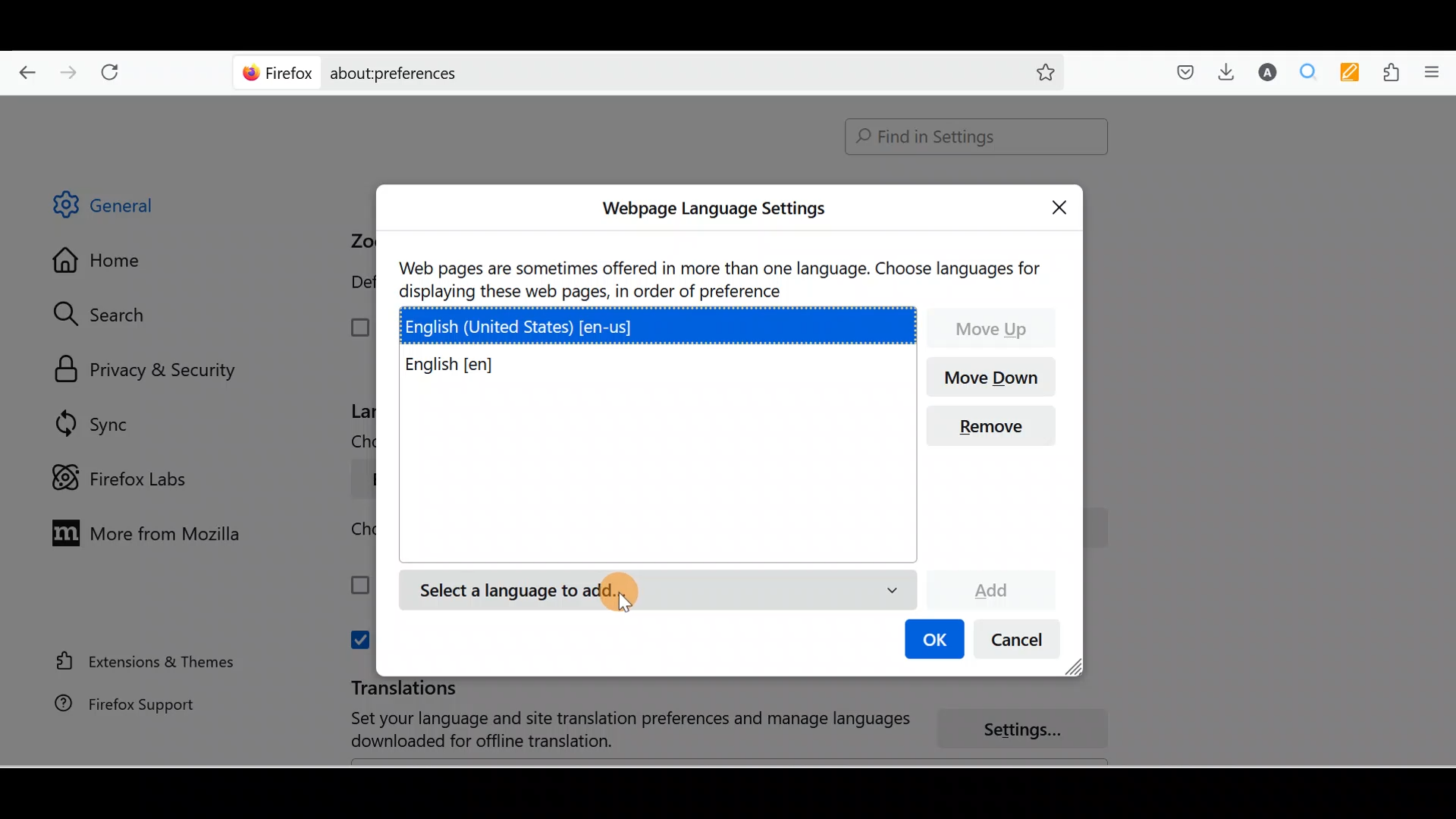 The image size is (1456, 819). What do you see at coordinates (152, 371) in the screenshot?
I see `Privacy & security` at bounding box center [152, 371].